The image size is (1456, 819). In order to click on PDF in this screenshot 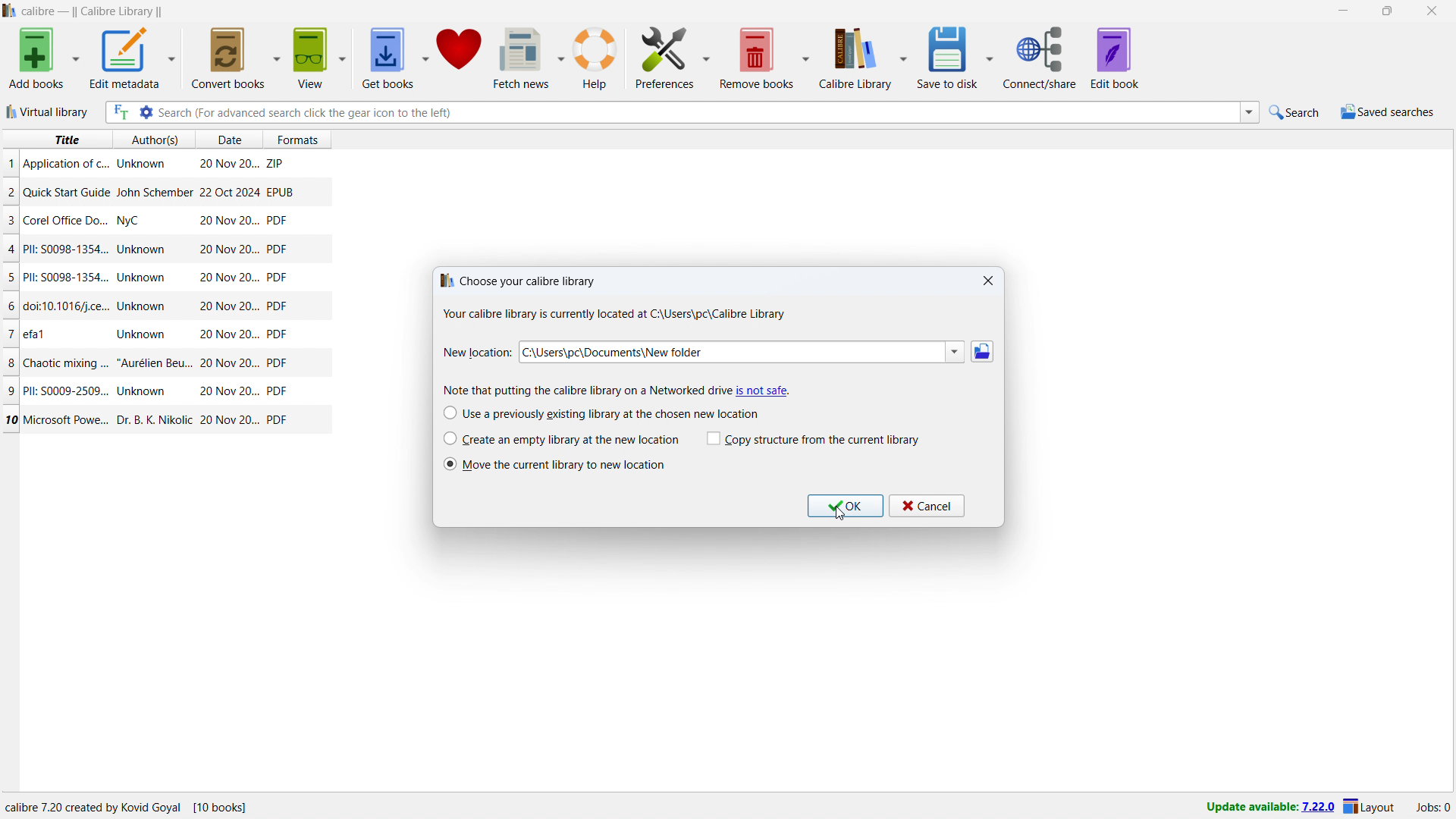, I will do `click(277, 220)`.